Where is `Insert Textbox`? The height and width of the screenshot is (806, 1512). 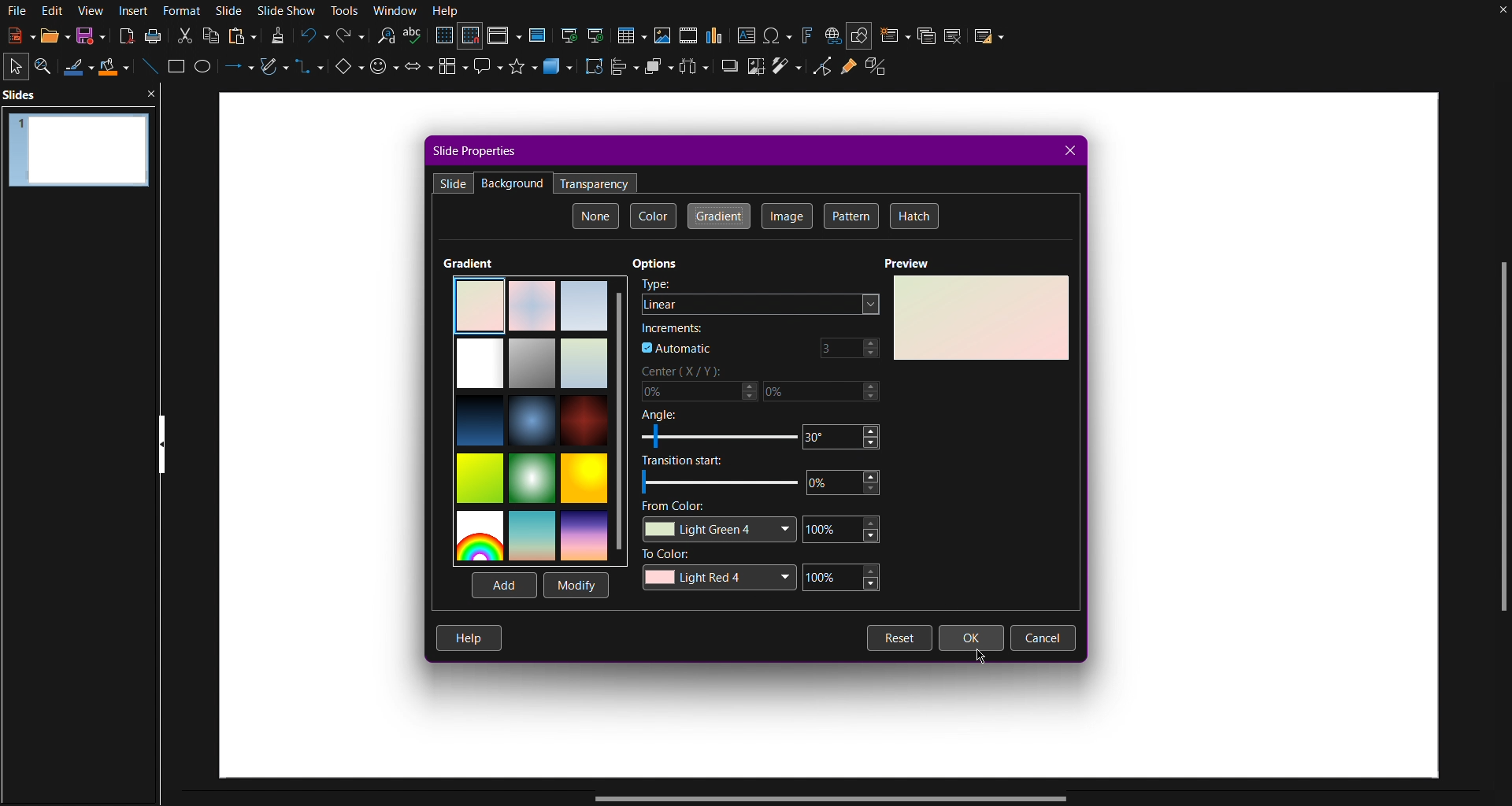
Insert Textbox is located at coordinates (747, 35).